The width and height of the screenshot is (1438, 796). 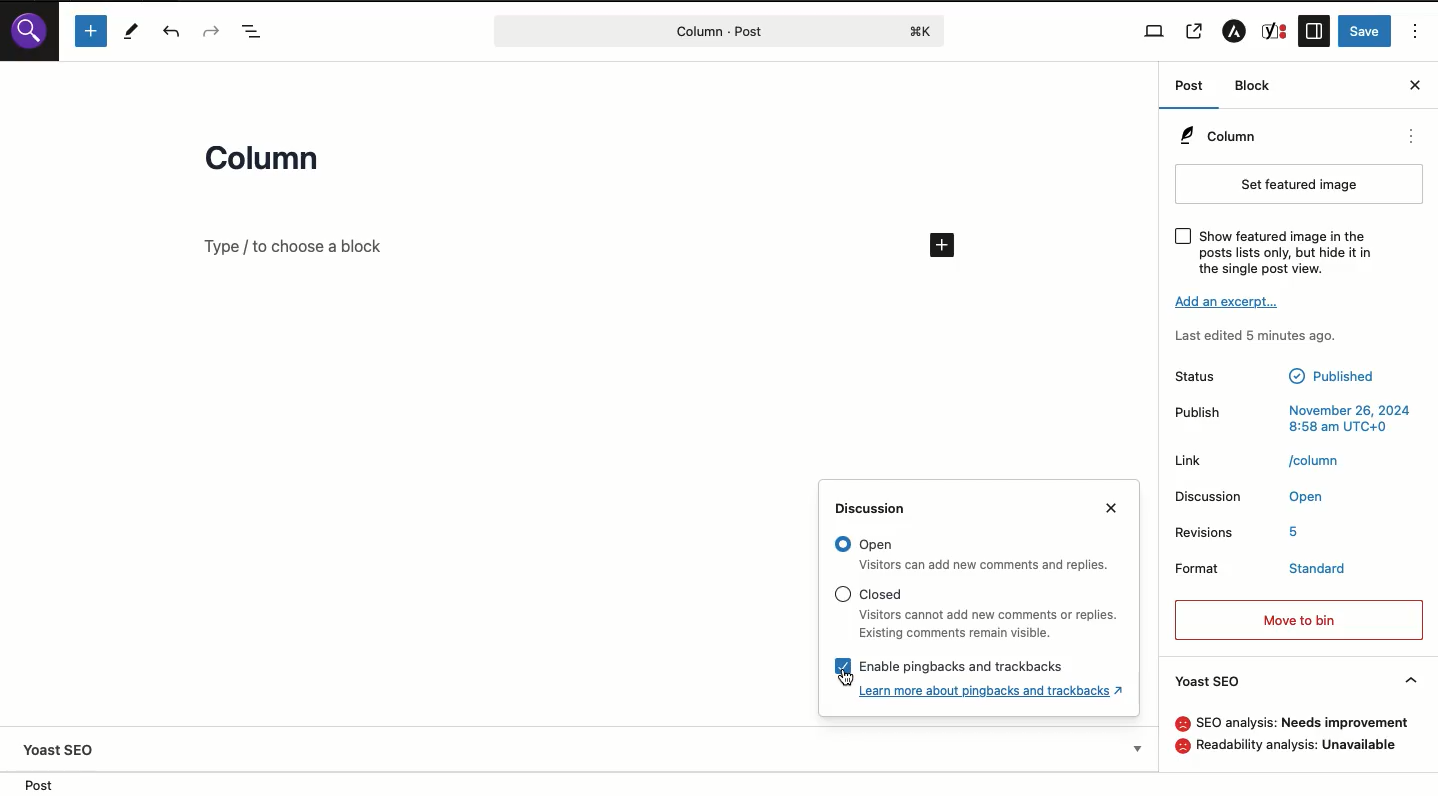 What do you see at coordinates (1254, 85) in the screenshot?
I see `Block` at bounding box center [1254, 85].